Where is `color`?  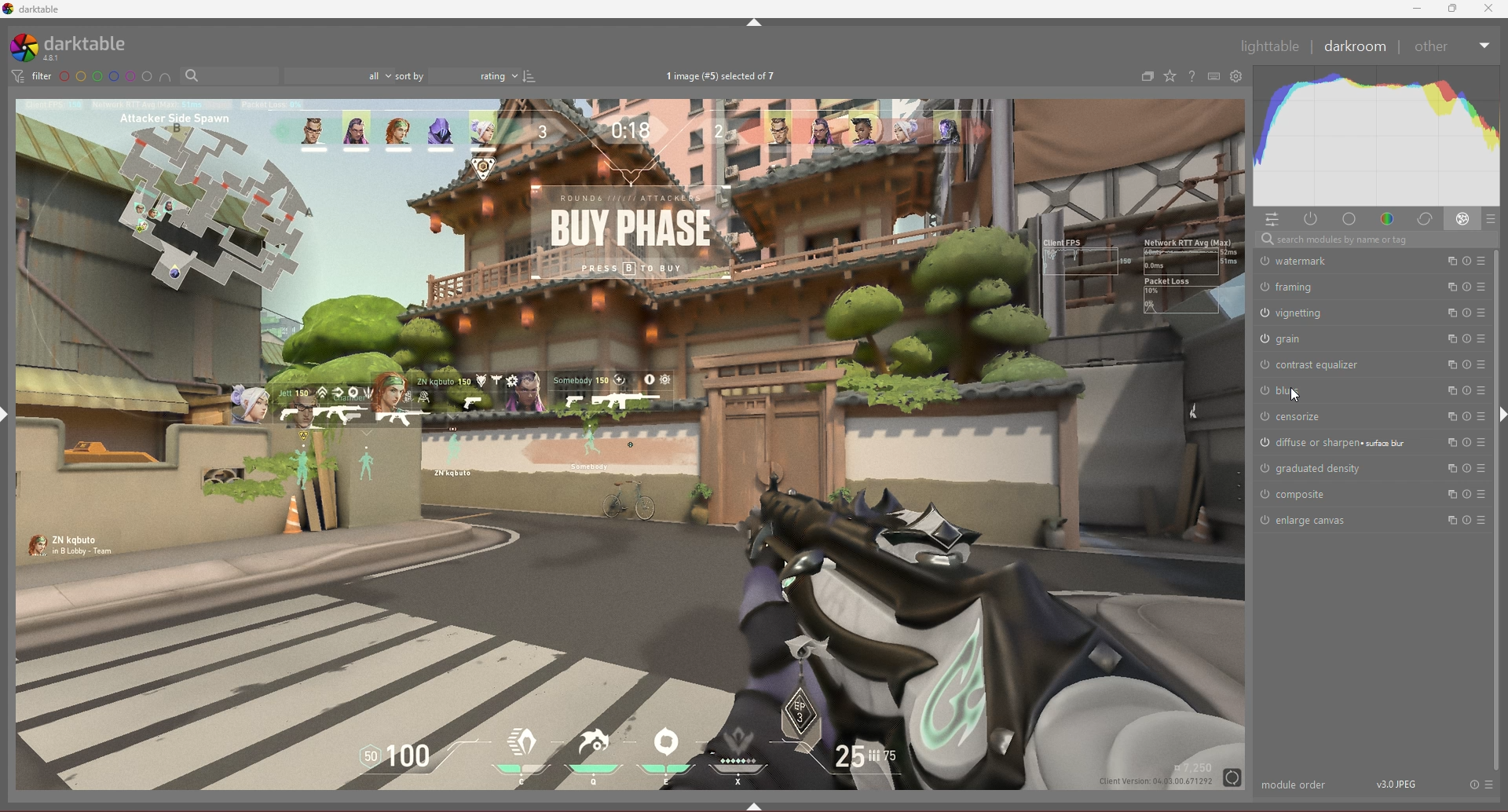 color is located at coordinates (1389, 219).